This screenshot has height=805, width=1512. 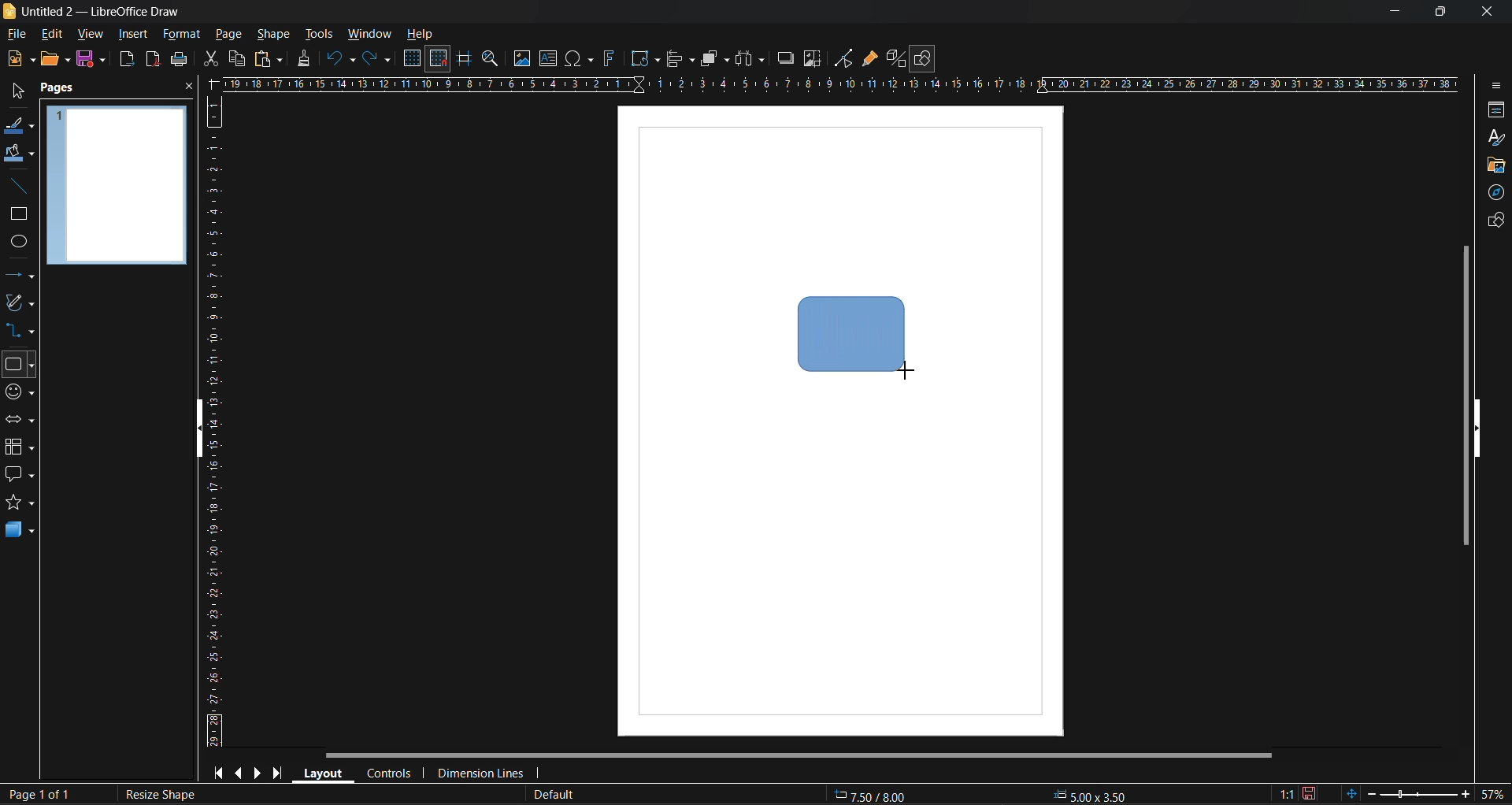 What do you see at coordinates (439, 59) in the screenshot?
I see `snap to grid` at bounding box center [439, 59].